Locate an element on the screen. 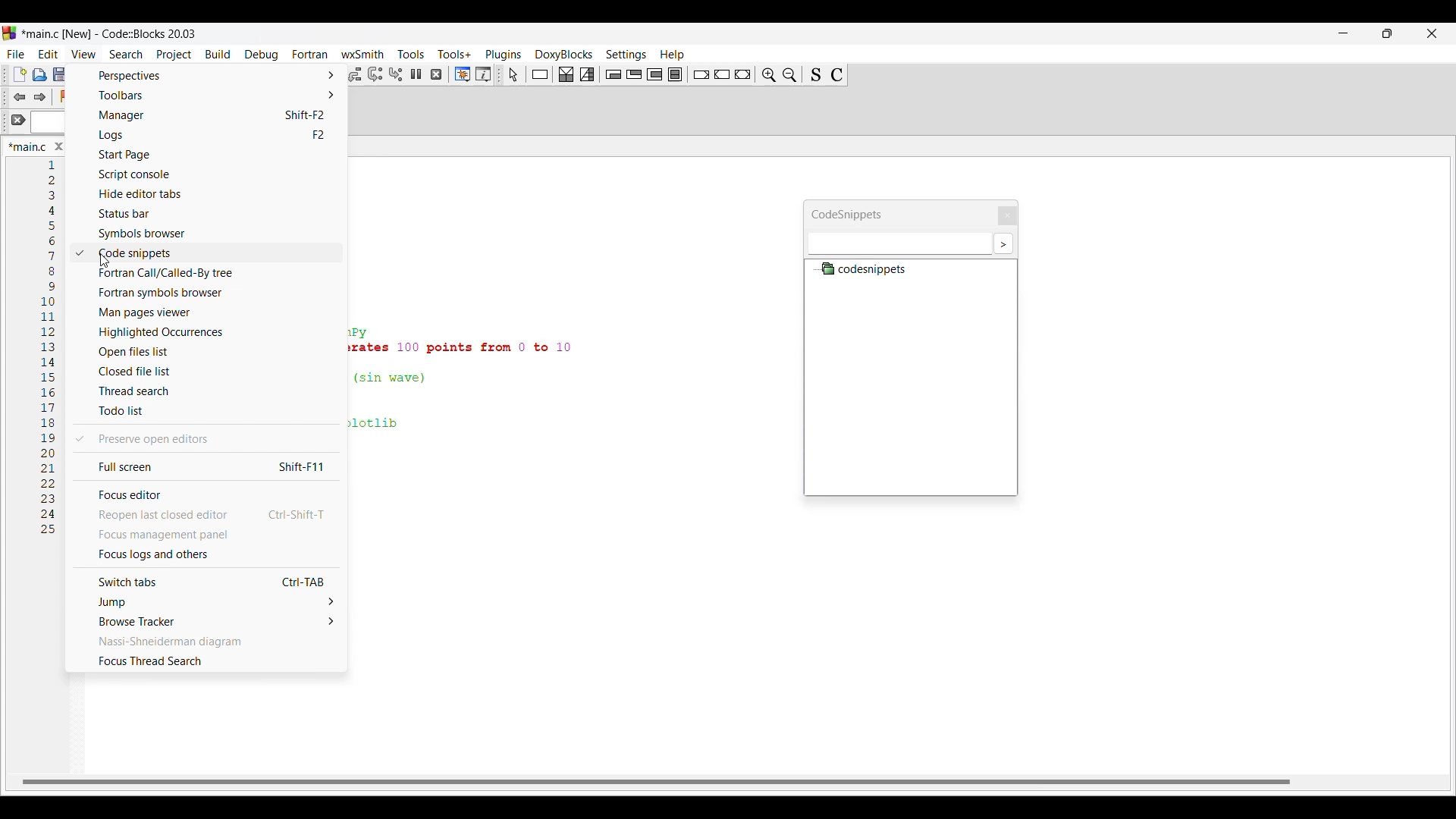 The width and height of the screenshot is (1456, 819). Show in smaller tab is located at coordinates (1387, 33).